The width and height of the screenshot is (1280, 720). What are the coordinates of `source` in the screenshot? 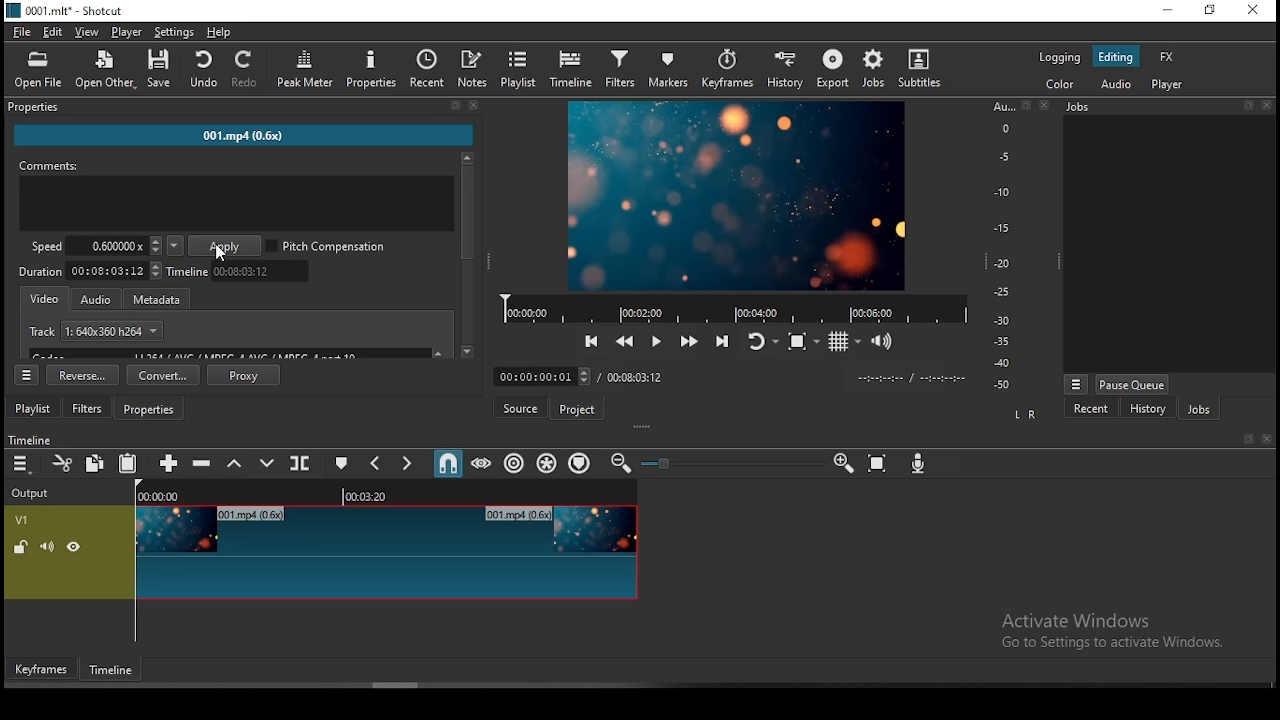 It's located at (523, 407).